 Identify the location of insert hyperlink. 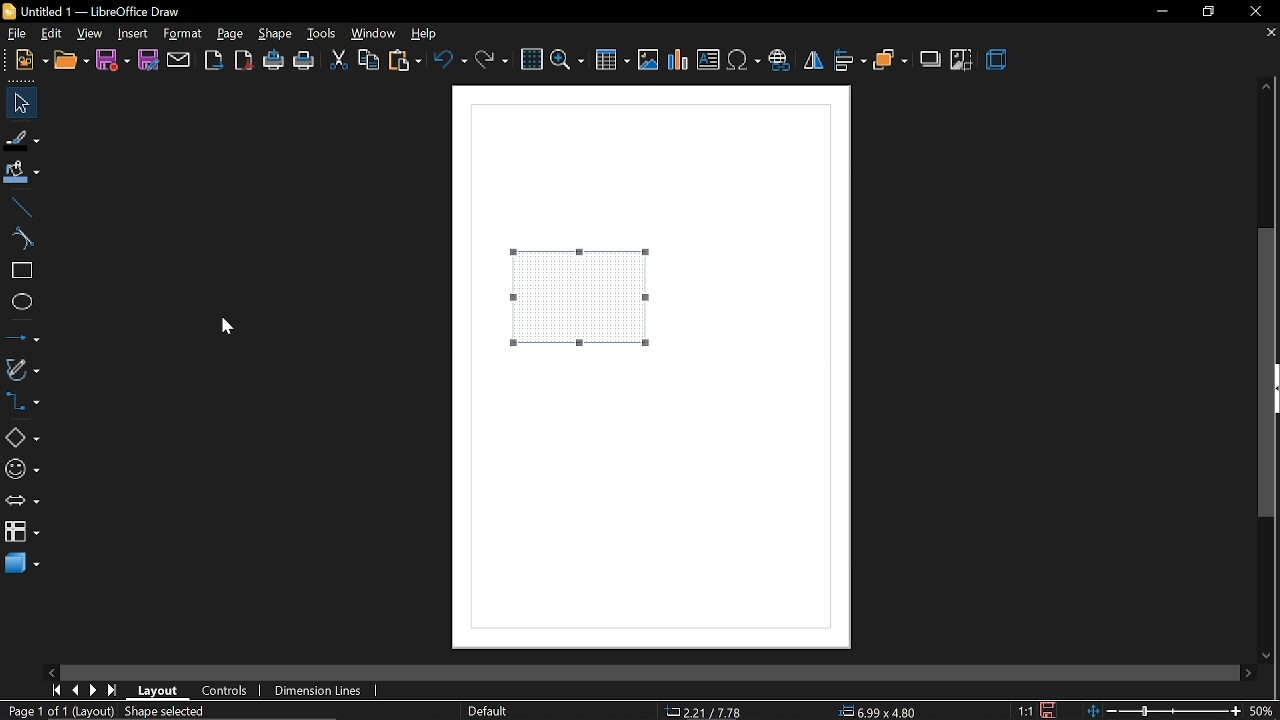
(780, 58).